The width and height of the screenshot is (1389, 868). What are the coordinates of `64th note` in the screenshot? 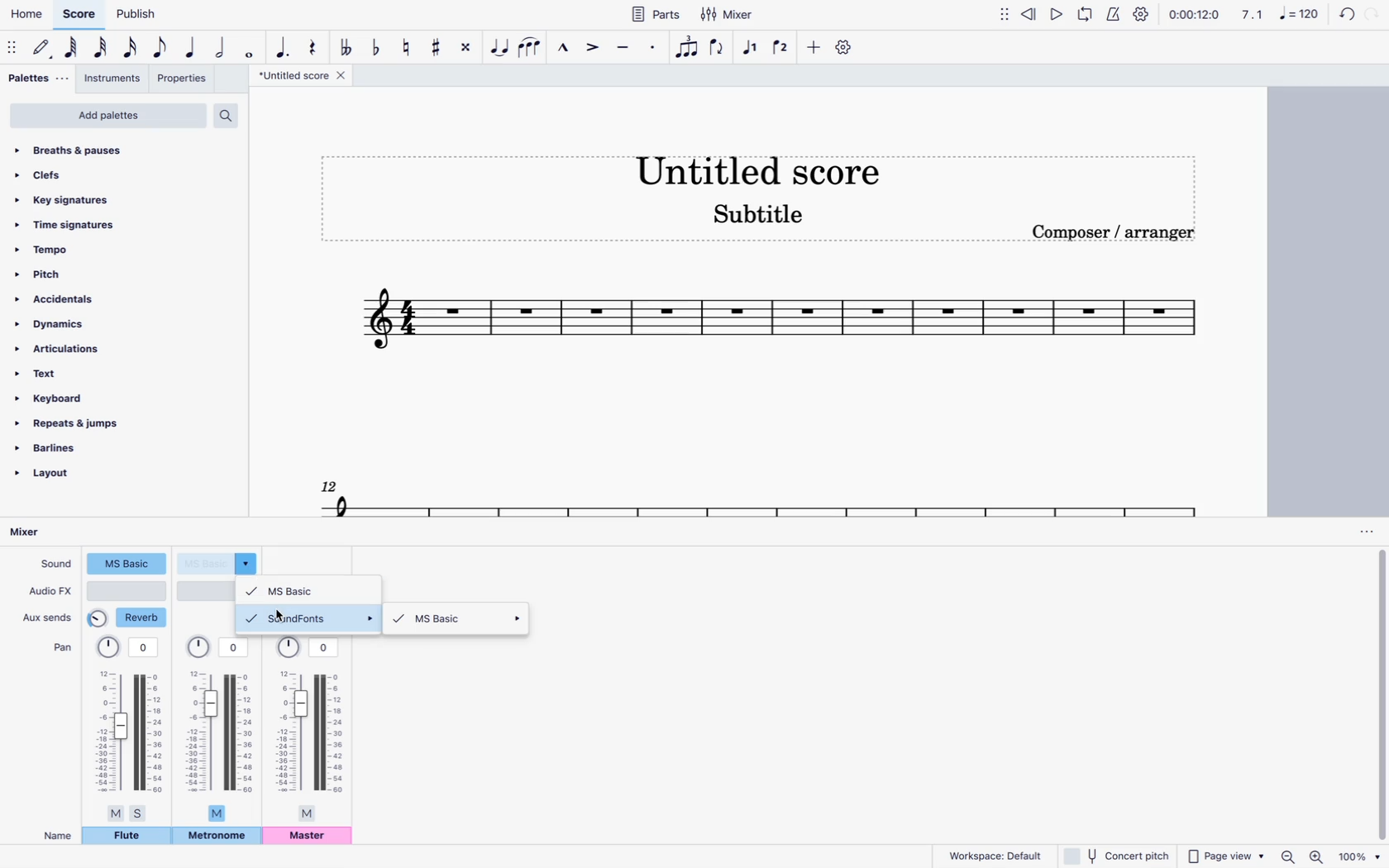 It's located at (71, 50).